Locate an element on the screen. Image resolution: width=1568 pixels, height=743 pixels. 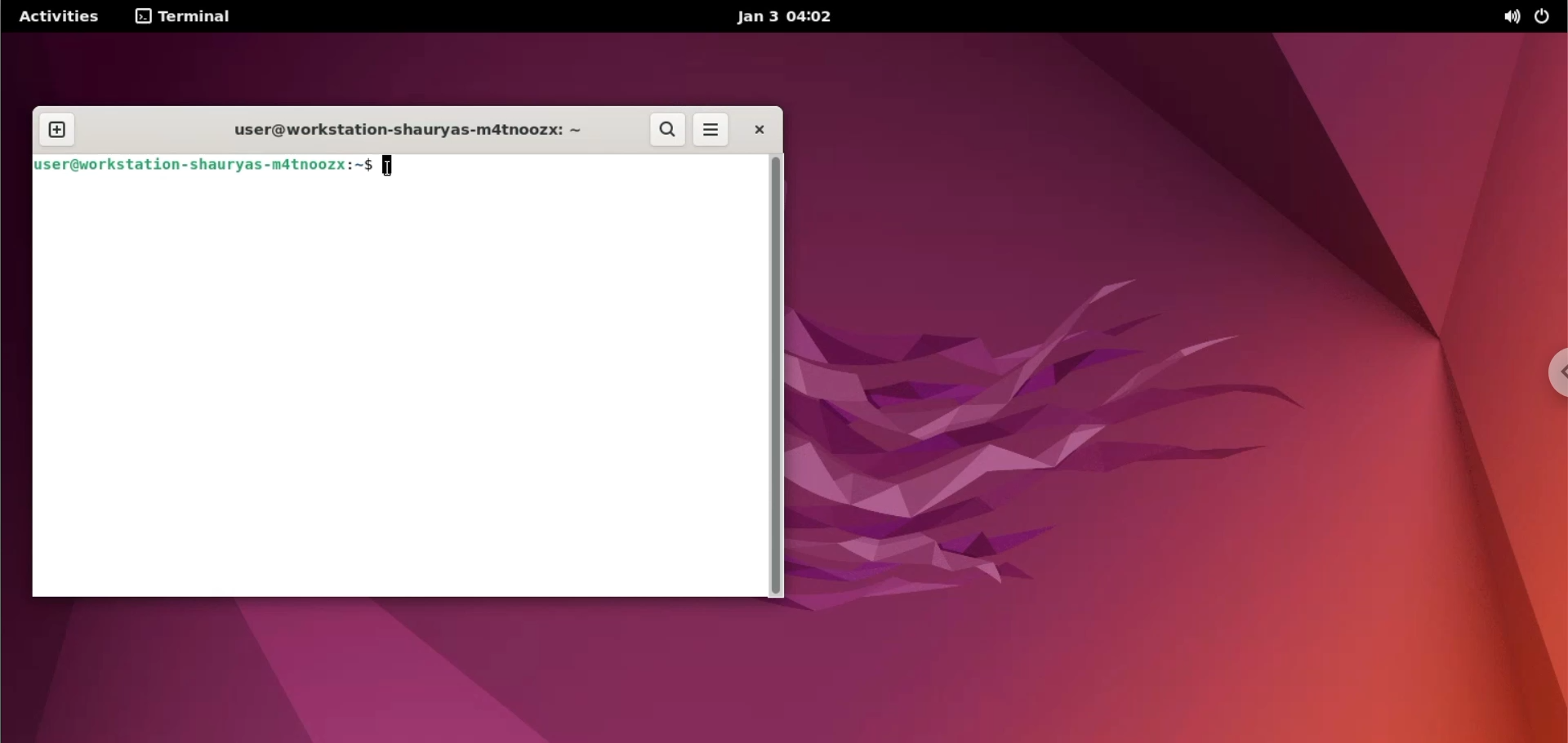
user@workstation-shauryas-m4tnoozx: ~ is located at coordinates (407, 129).